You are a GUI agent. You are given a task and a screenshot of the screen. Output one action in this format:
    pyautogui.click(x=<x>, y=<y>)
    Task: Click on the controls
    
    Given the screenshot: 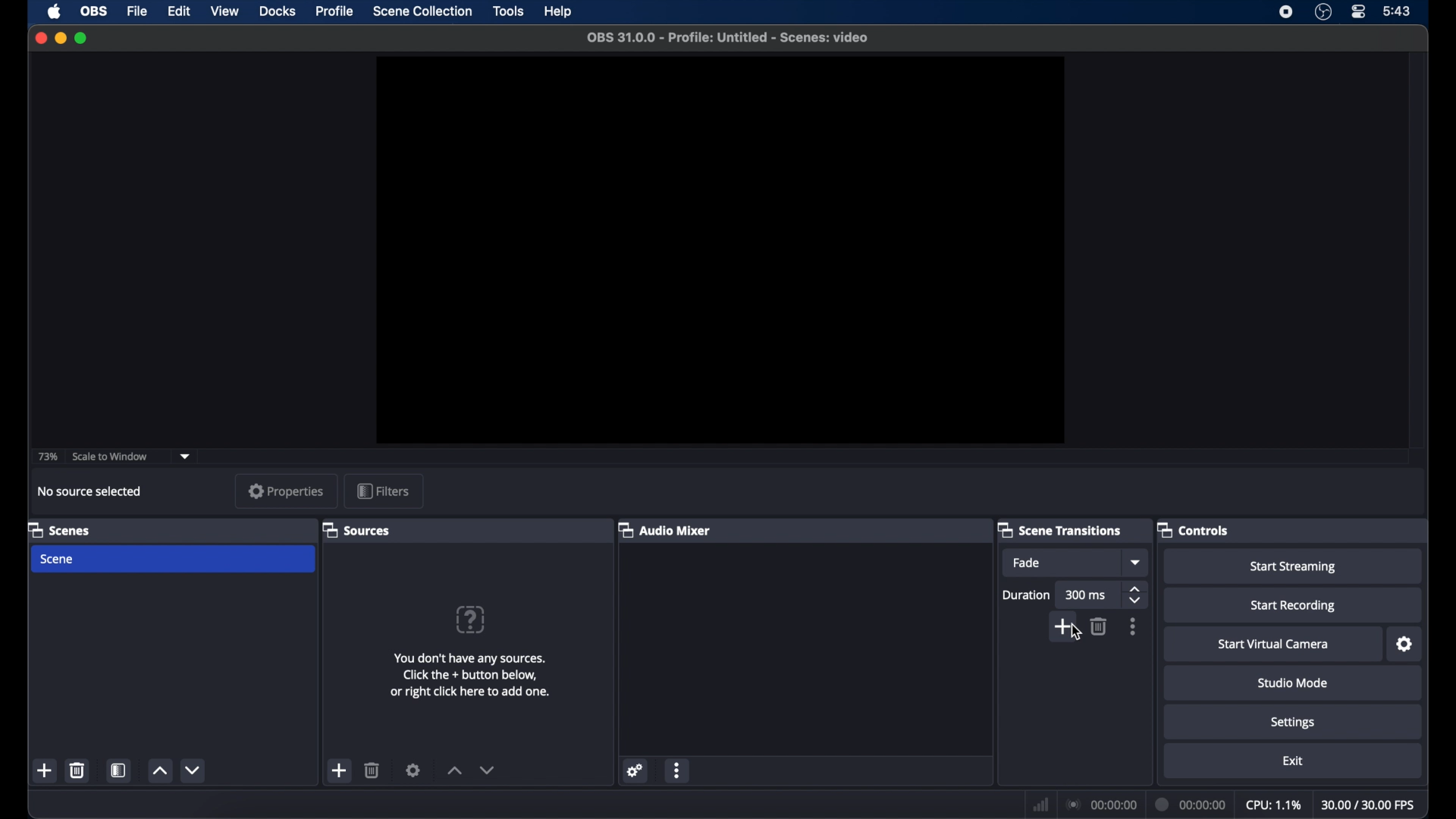 What is the action you would take?
    pyautogui.click(x=1194, y=529)
    